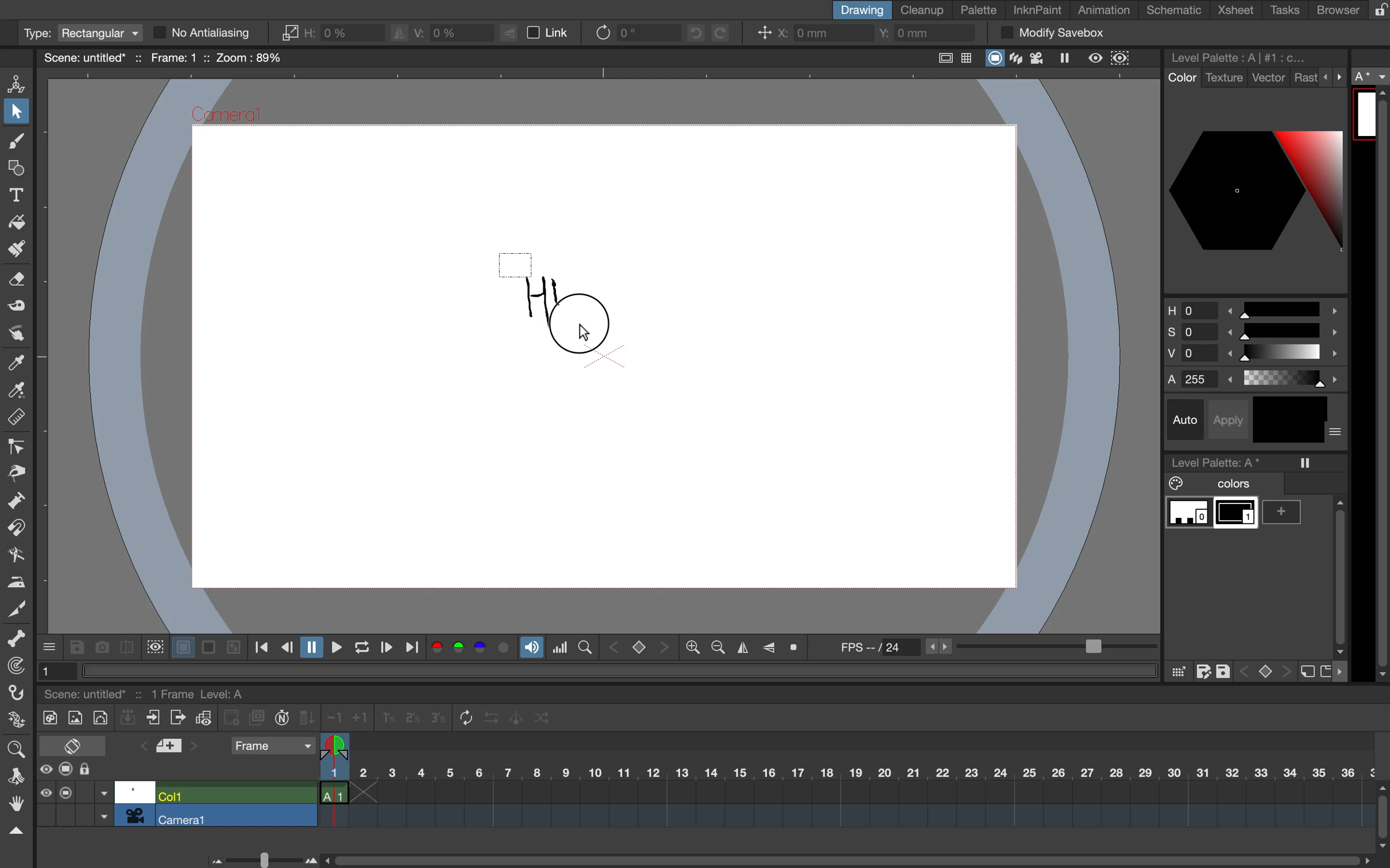 This screenshot has height=868, width=1390. What do you see at coordinates (1069, 60) in the screenshot?
I see `freeze` at bounding box center [1069, 60].